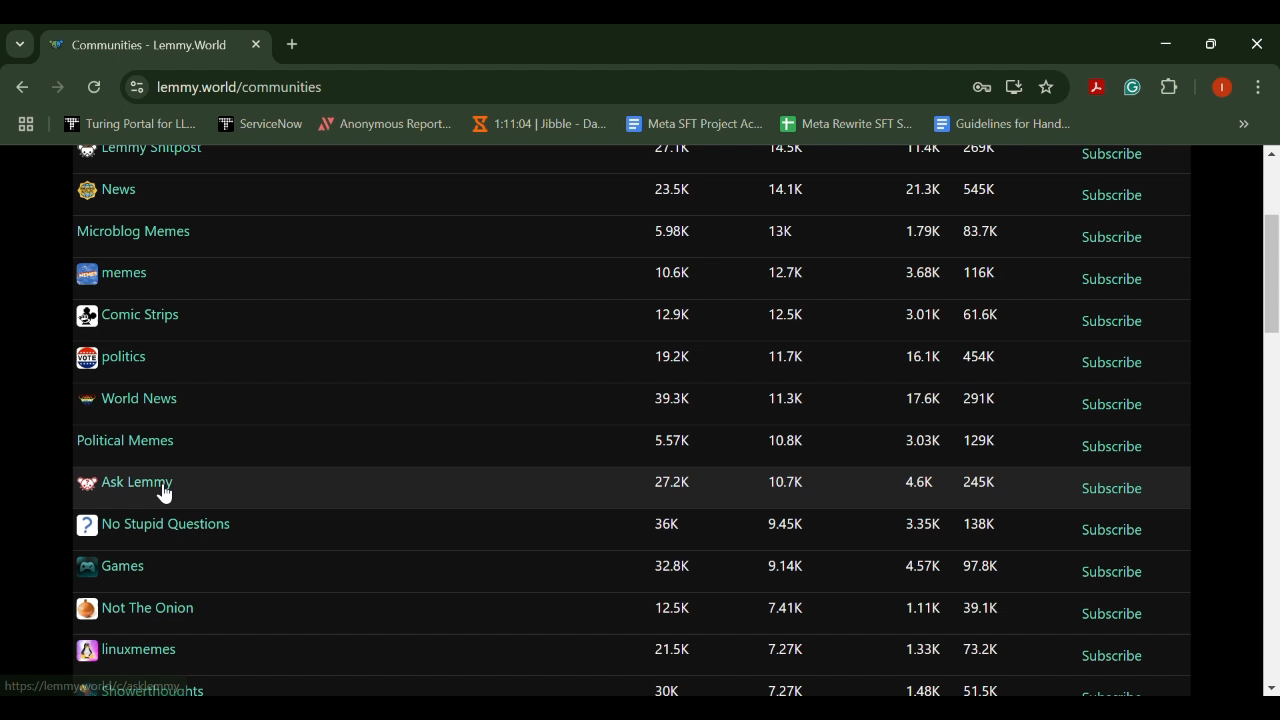 The width and height of the screenshot is (1280, 720). Describe the element at coordinates (1110, 237) in the screenshot. I see `Subscribe` at that location.